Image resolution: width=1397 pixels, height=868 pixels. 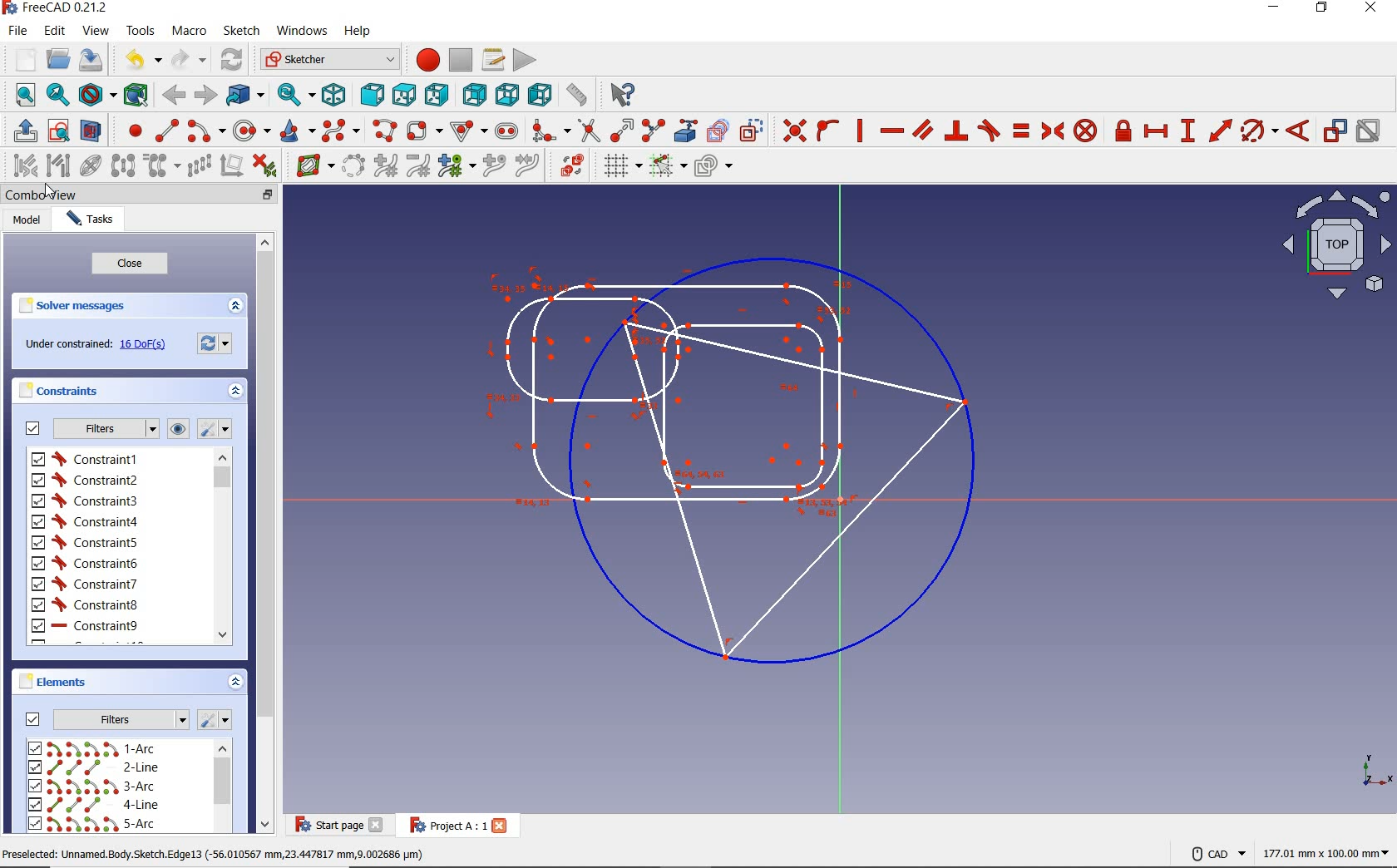 What do you see at coordinates (506, 131) in the screenshot?
I see `create slot` at bounding box center [506, 131].